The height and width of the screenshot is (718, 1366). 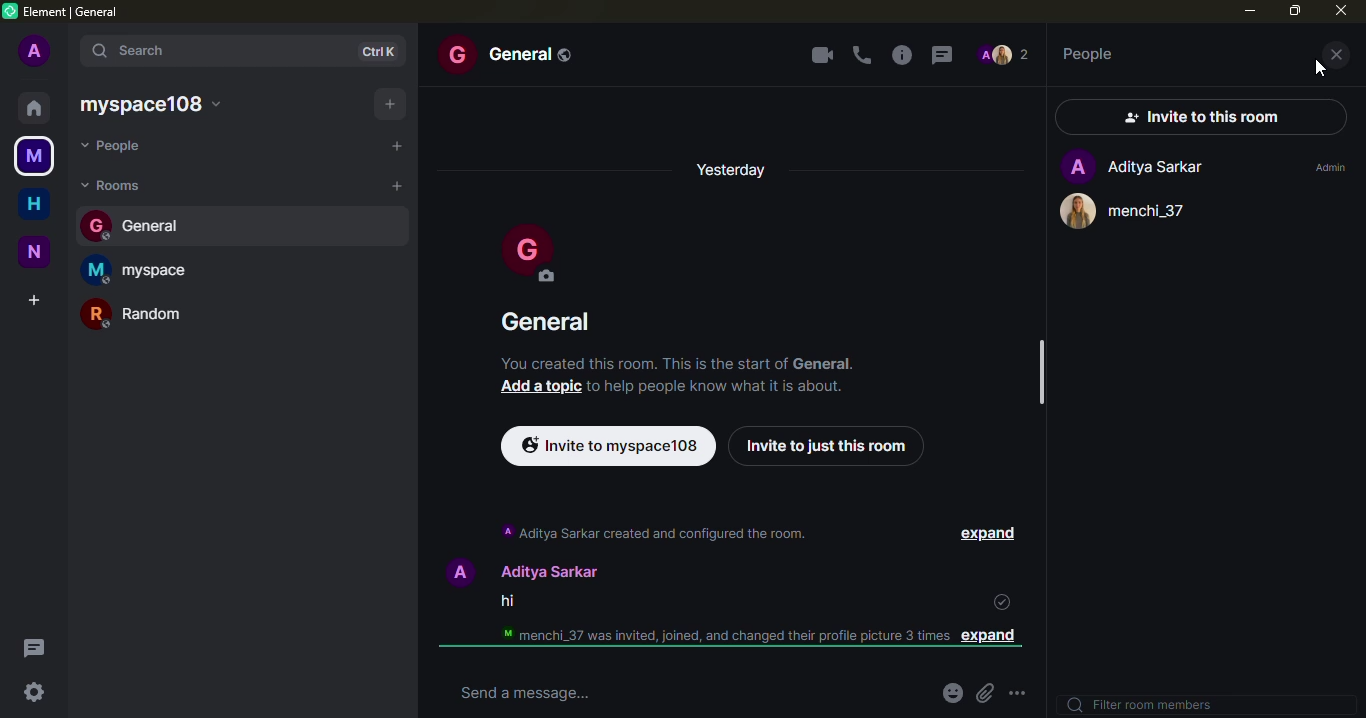 I want to click on menchi_37 was invited, joined, and changed their profile picture 3 times, so click(x=713, y=636).